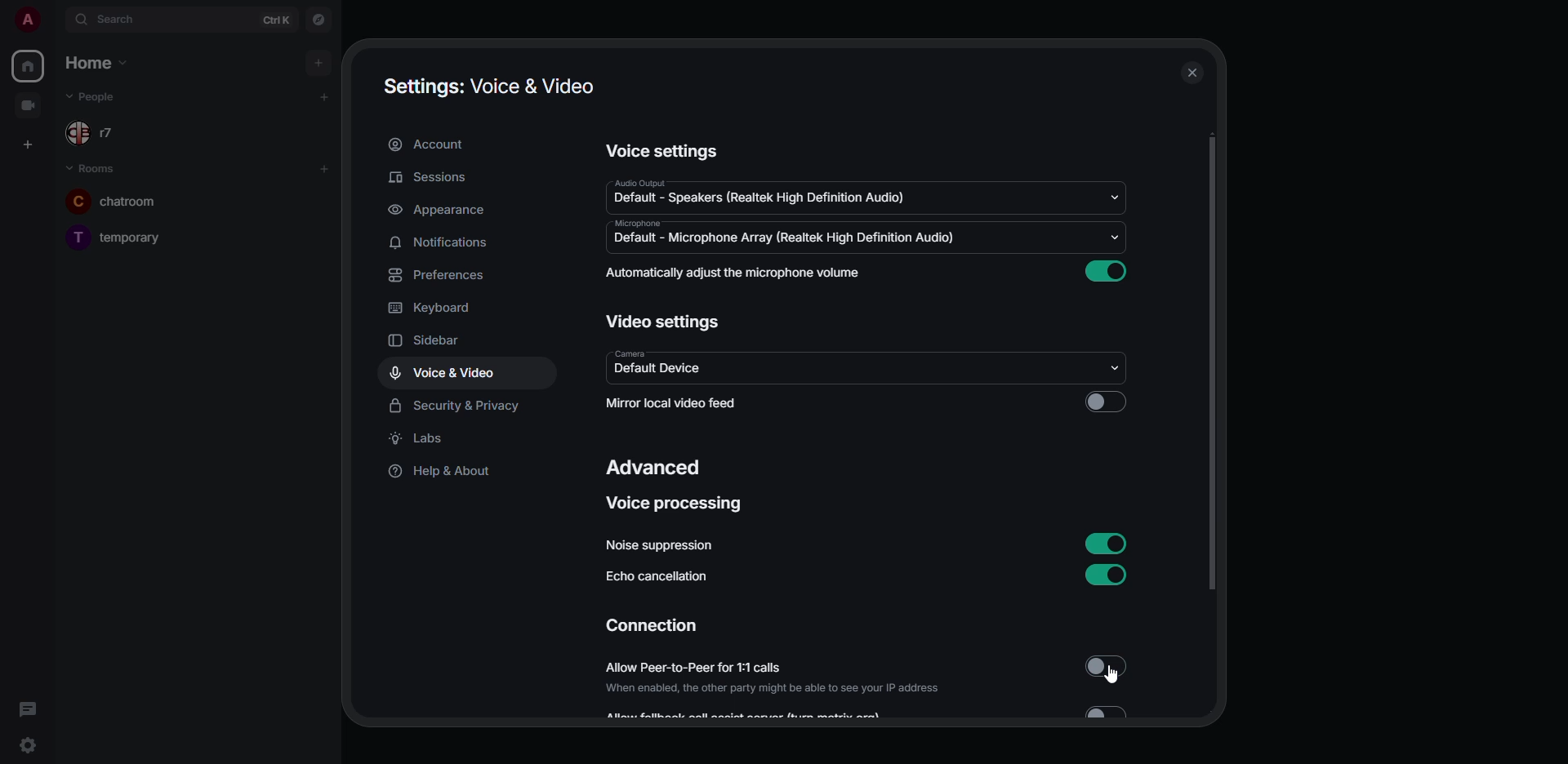 Image resolution: width=1568 pixels, height=764 pixels. Describe the element at coordinates (663, 320) in the screenshot. I see `video settings` at that location.